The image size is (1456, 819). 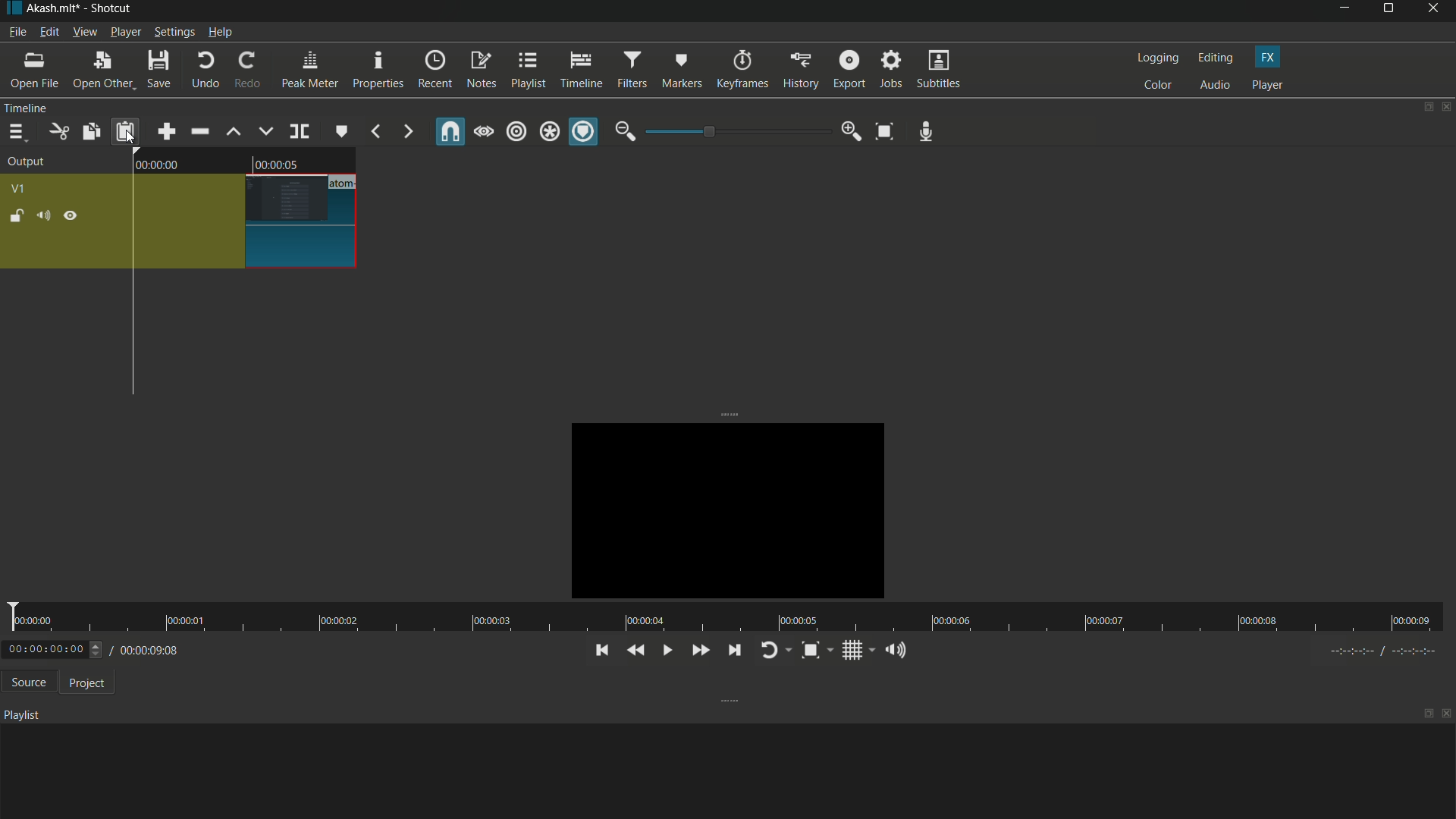 What do you see at coordinates (719, 508) in the screenshot?
I see `imported video` at bounding box center [719, 508].